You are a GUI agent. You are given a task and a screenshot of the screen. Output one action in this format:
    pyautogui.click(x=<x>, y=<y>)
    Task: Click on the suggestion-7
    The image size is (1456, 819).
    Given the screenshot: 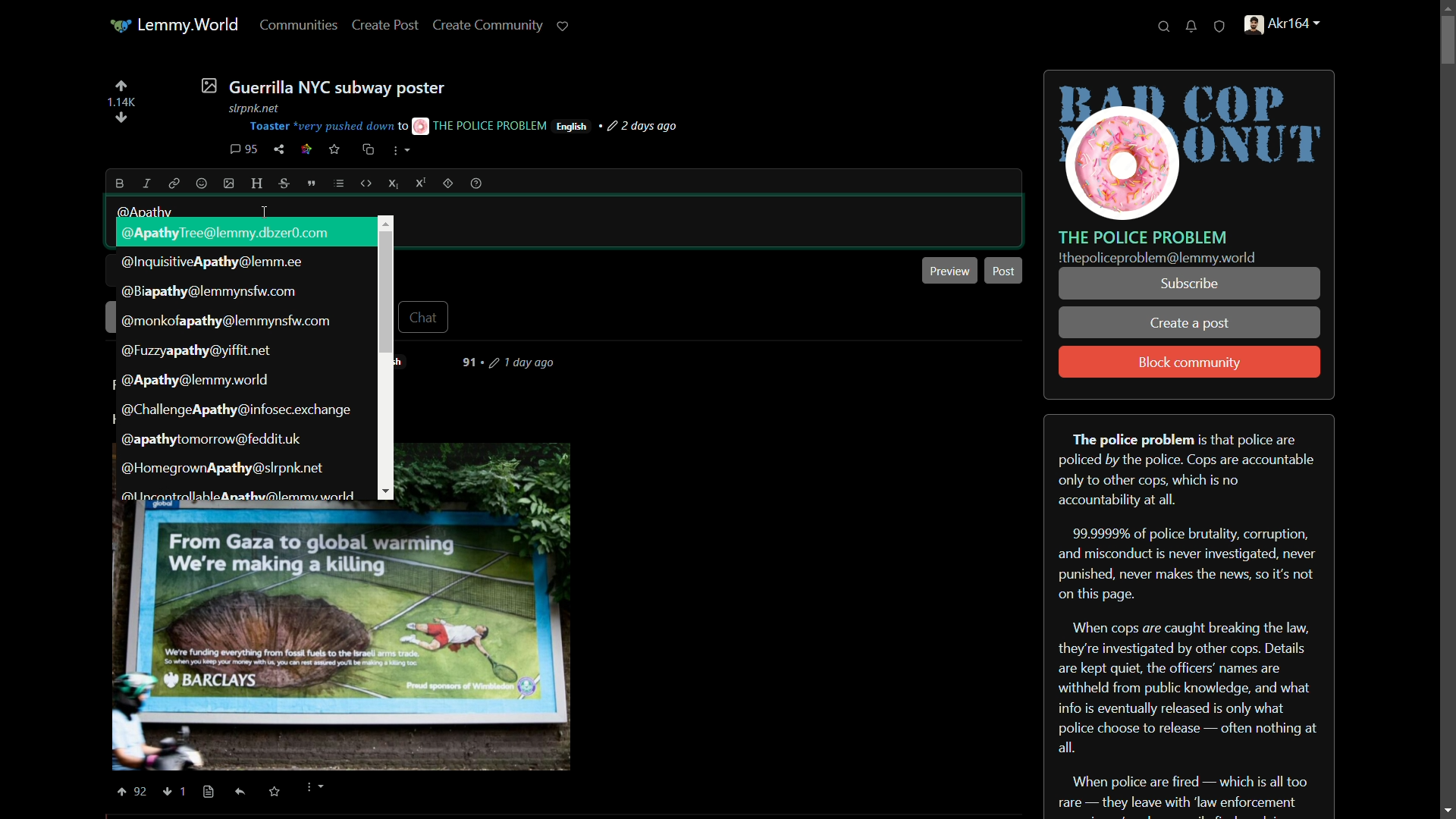 What is the action you would take?
    pyautogui.click(x=237, y=411)
    